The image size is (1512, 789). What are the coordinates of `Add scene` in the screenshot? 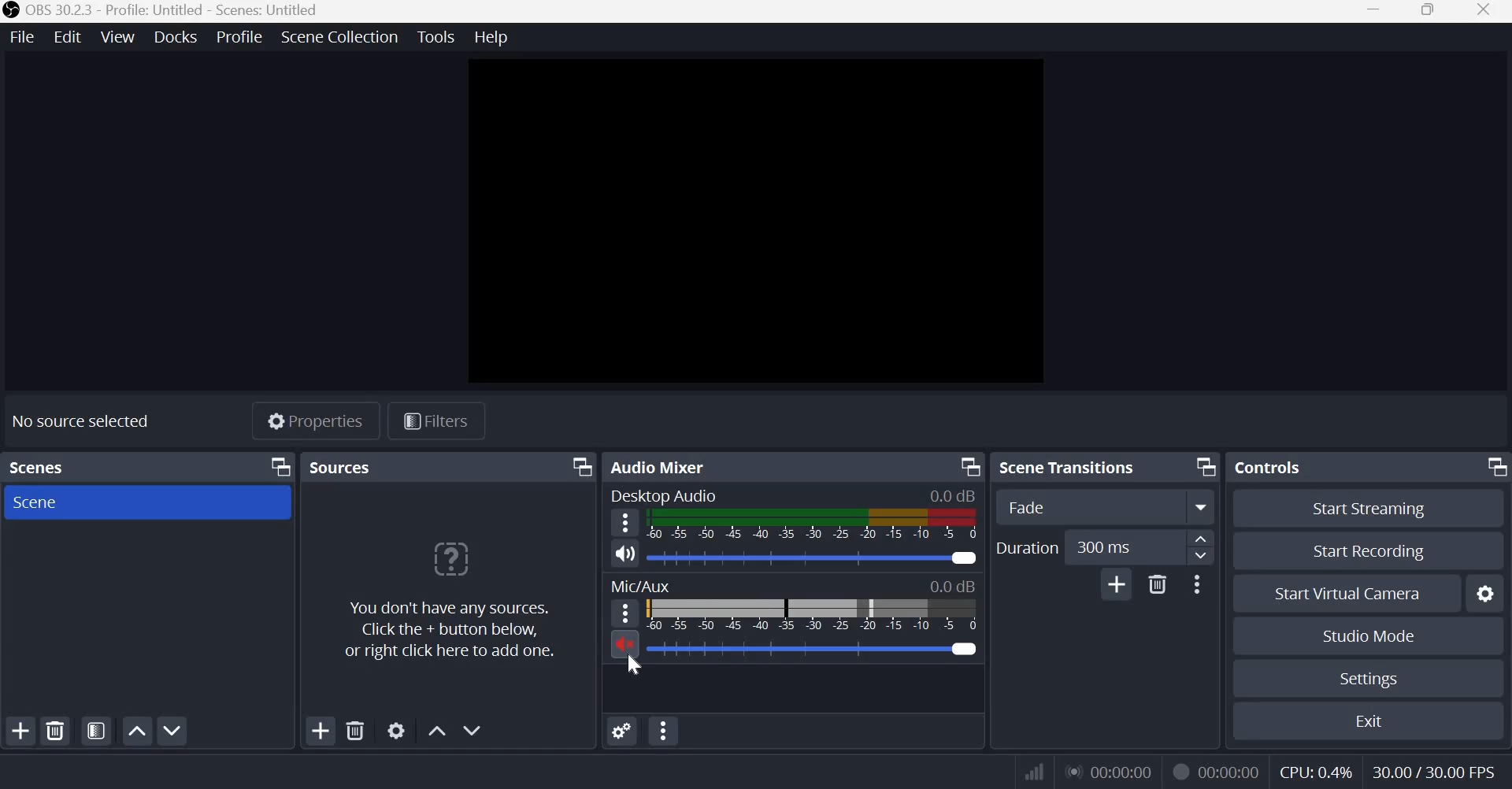 It's located at (20, 731).